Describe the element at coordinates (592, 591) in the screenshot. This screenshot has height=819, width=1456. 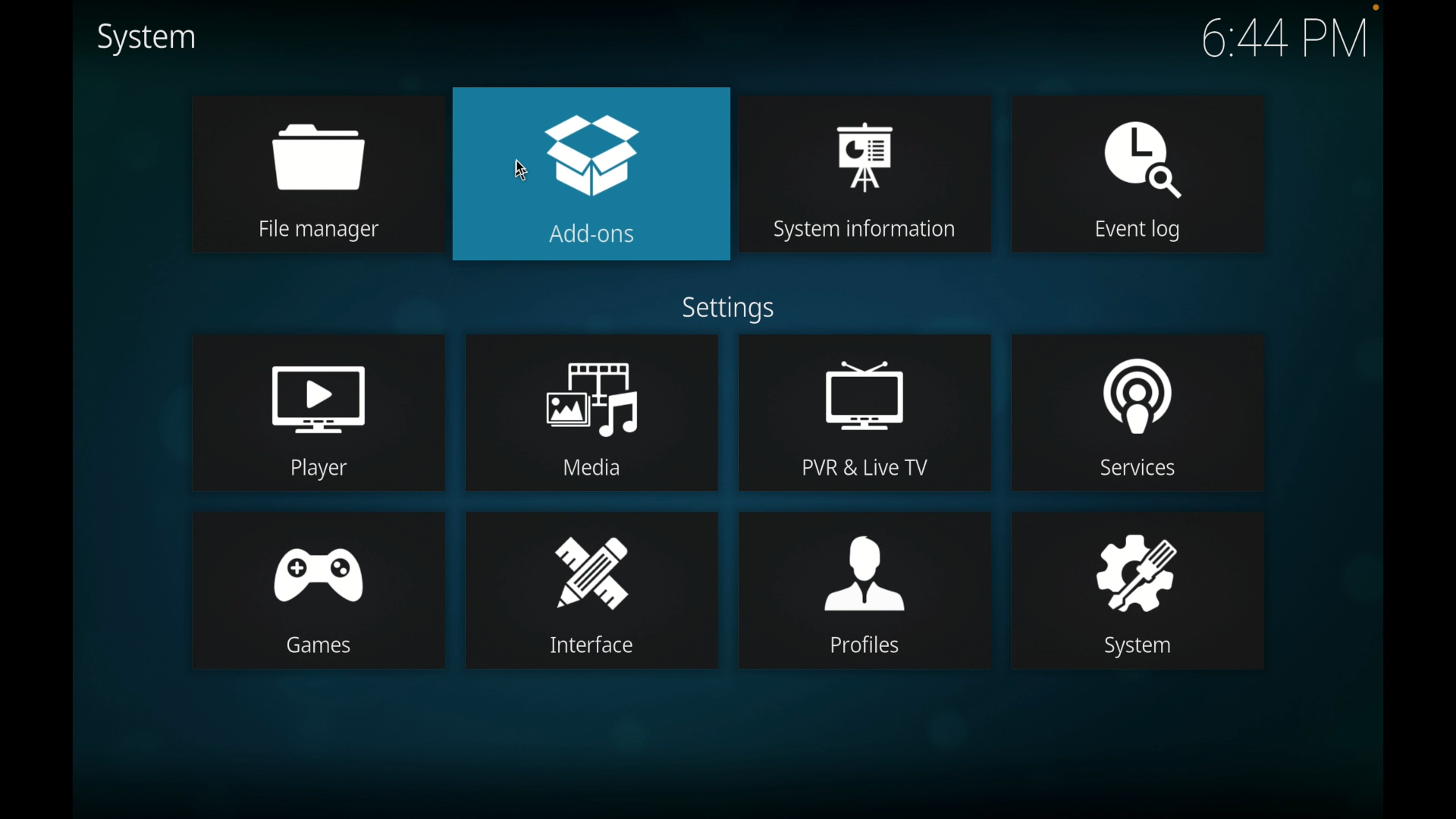
I see `interface` at that location.